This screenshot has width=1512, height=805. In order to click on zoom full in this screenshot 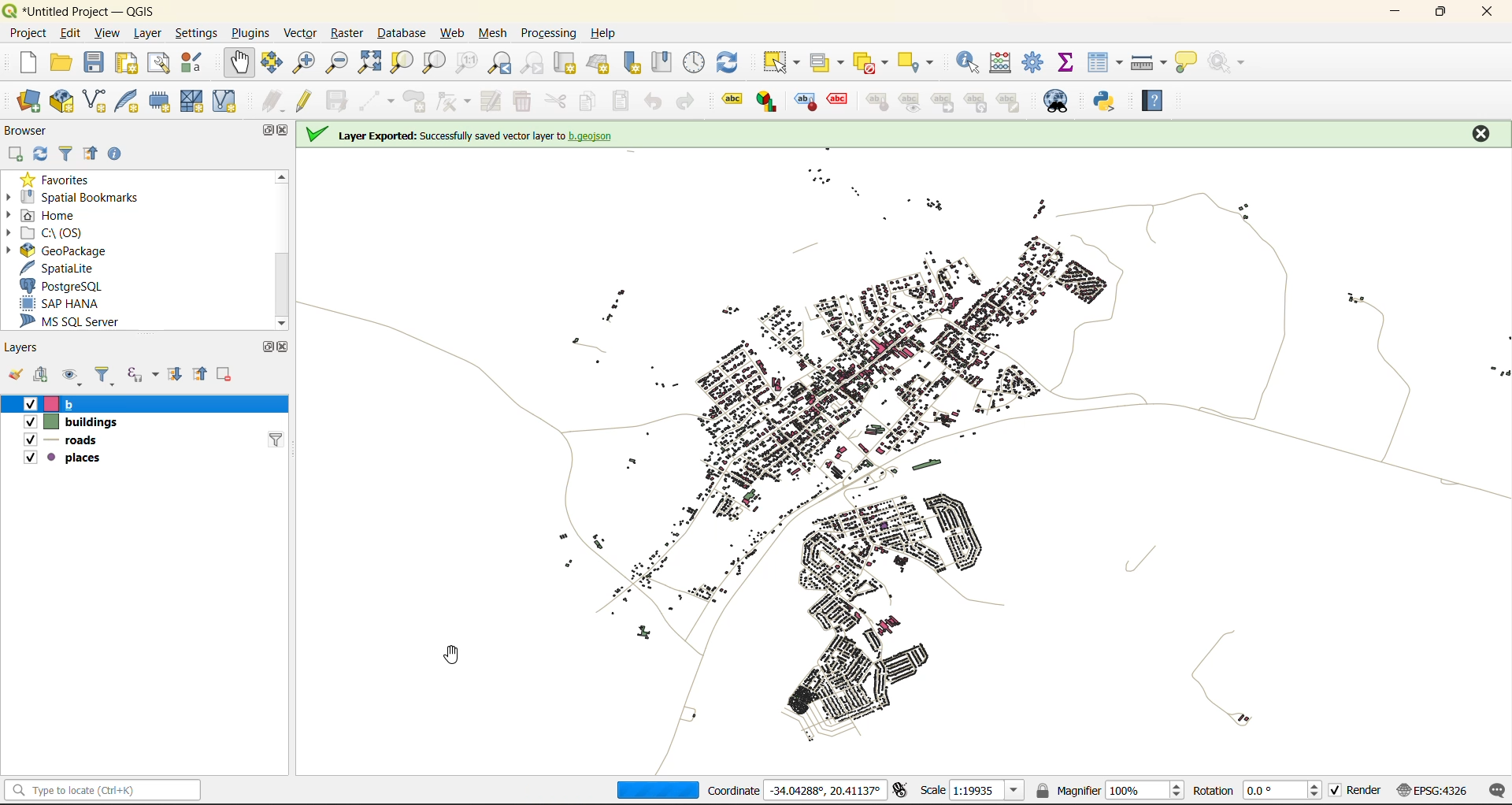, I will do `click(369, 62)`.